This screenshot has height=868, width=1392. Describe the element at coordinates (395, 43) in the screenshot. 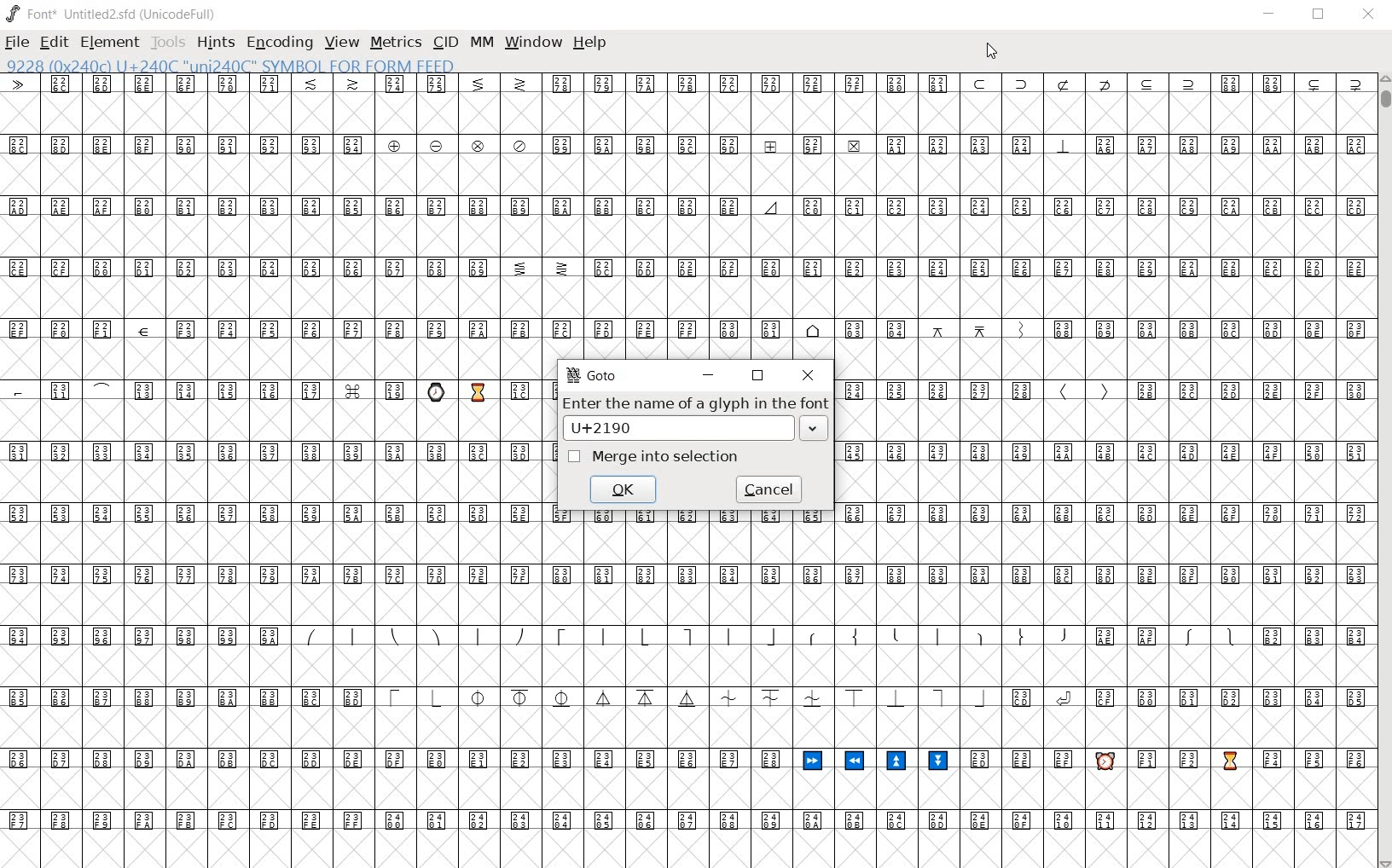

I see `metrics` at that location.